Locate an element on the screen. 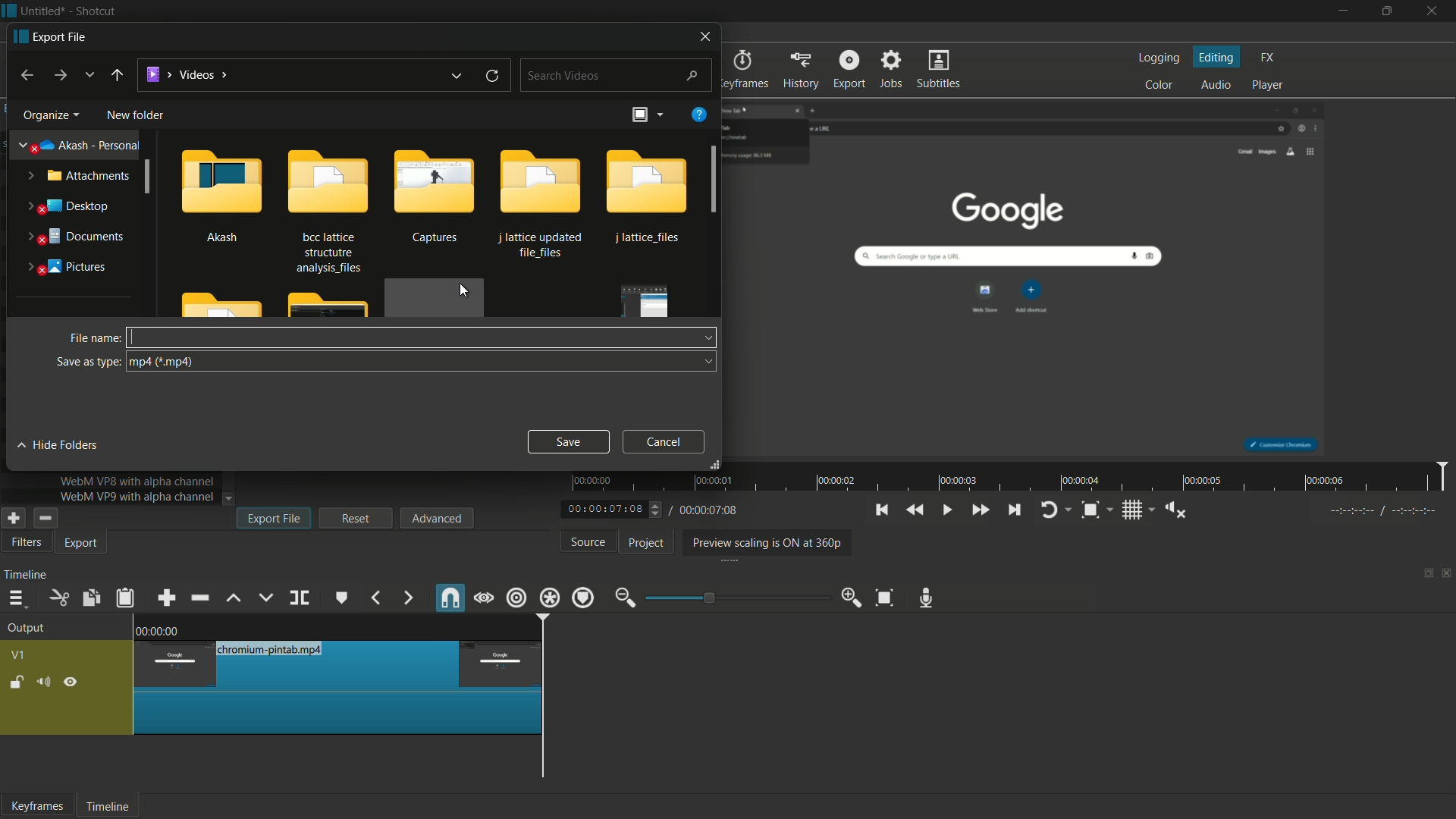 The height and width of the screenshot is (819, 1456). scroll bar is located at coordinates (716, 178).